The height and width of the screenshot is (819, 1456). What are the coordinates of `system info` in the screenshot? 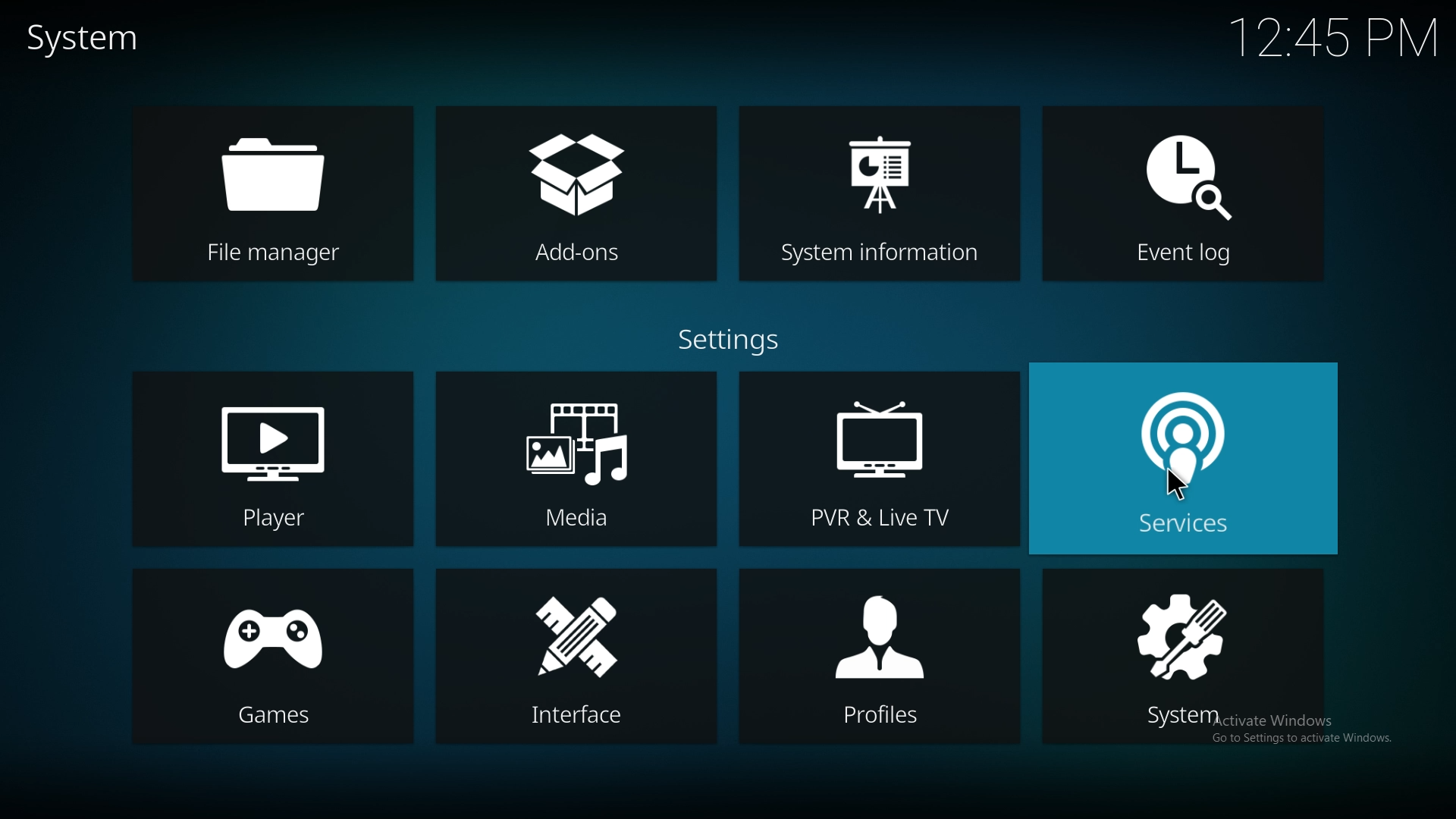 It's located at (876, 185).